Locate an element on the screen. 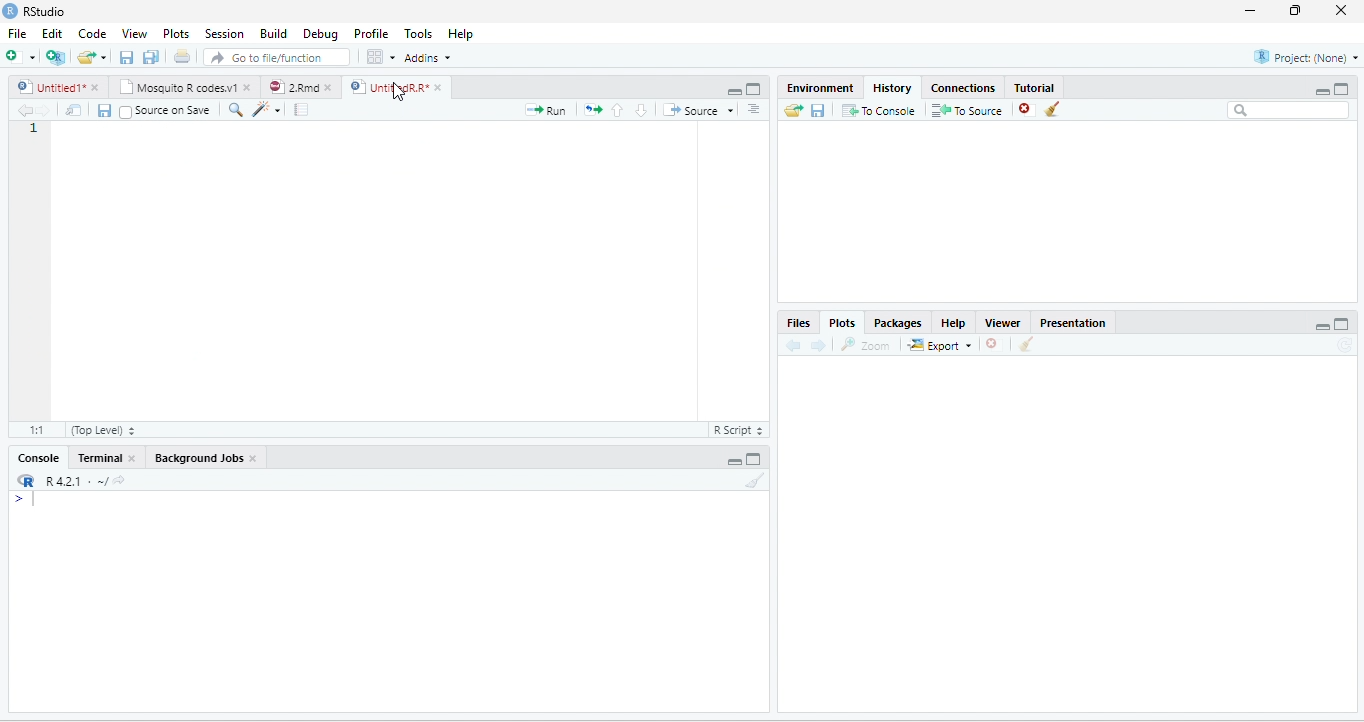  close is located at coordinates (438, 87).